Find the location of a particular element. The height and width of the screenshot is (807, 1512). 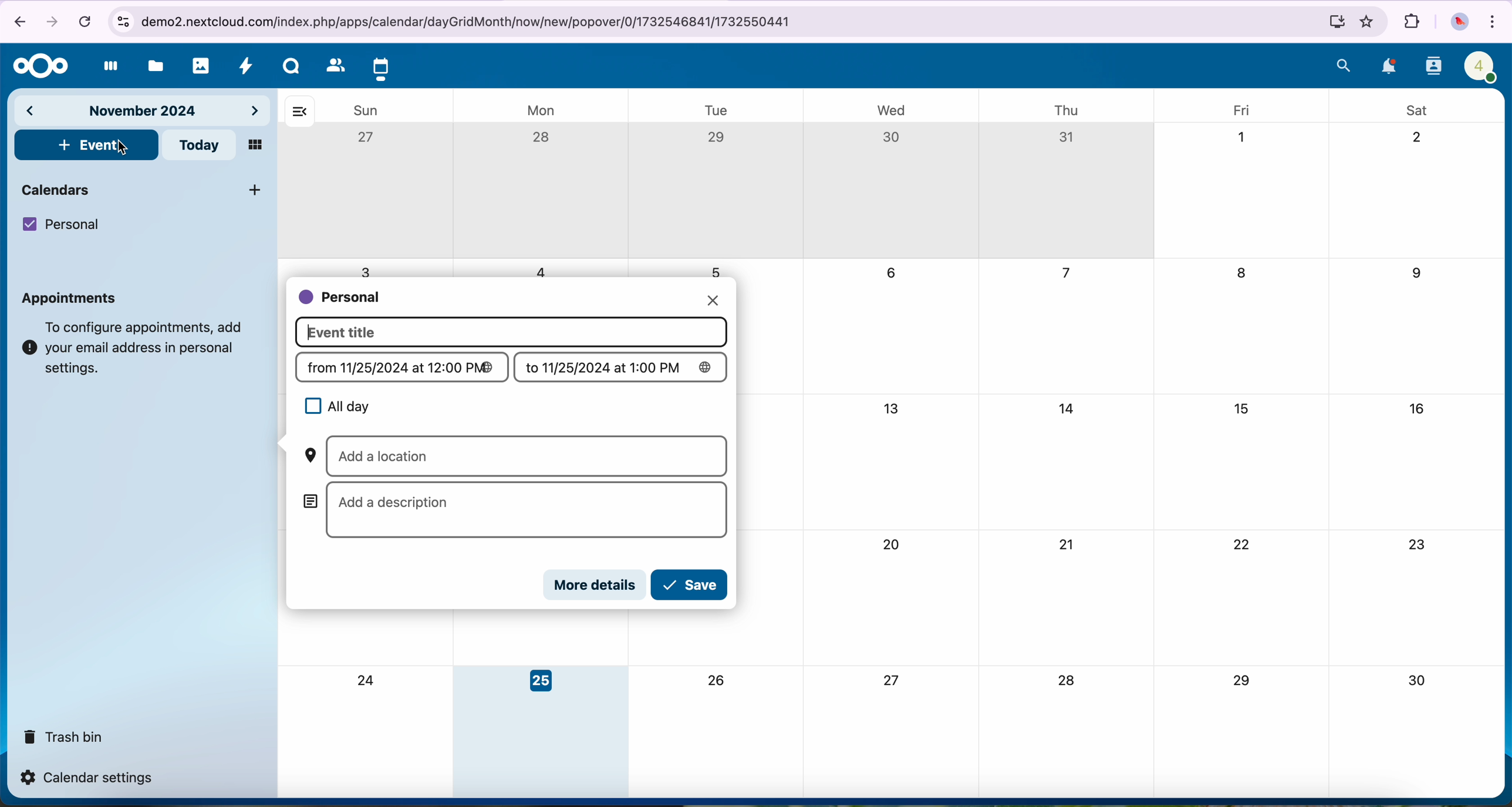

27 is located at coordinates (369, 138).